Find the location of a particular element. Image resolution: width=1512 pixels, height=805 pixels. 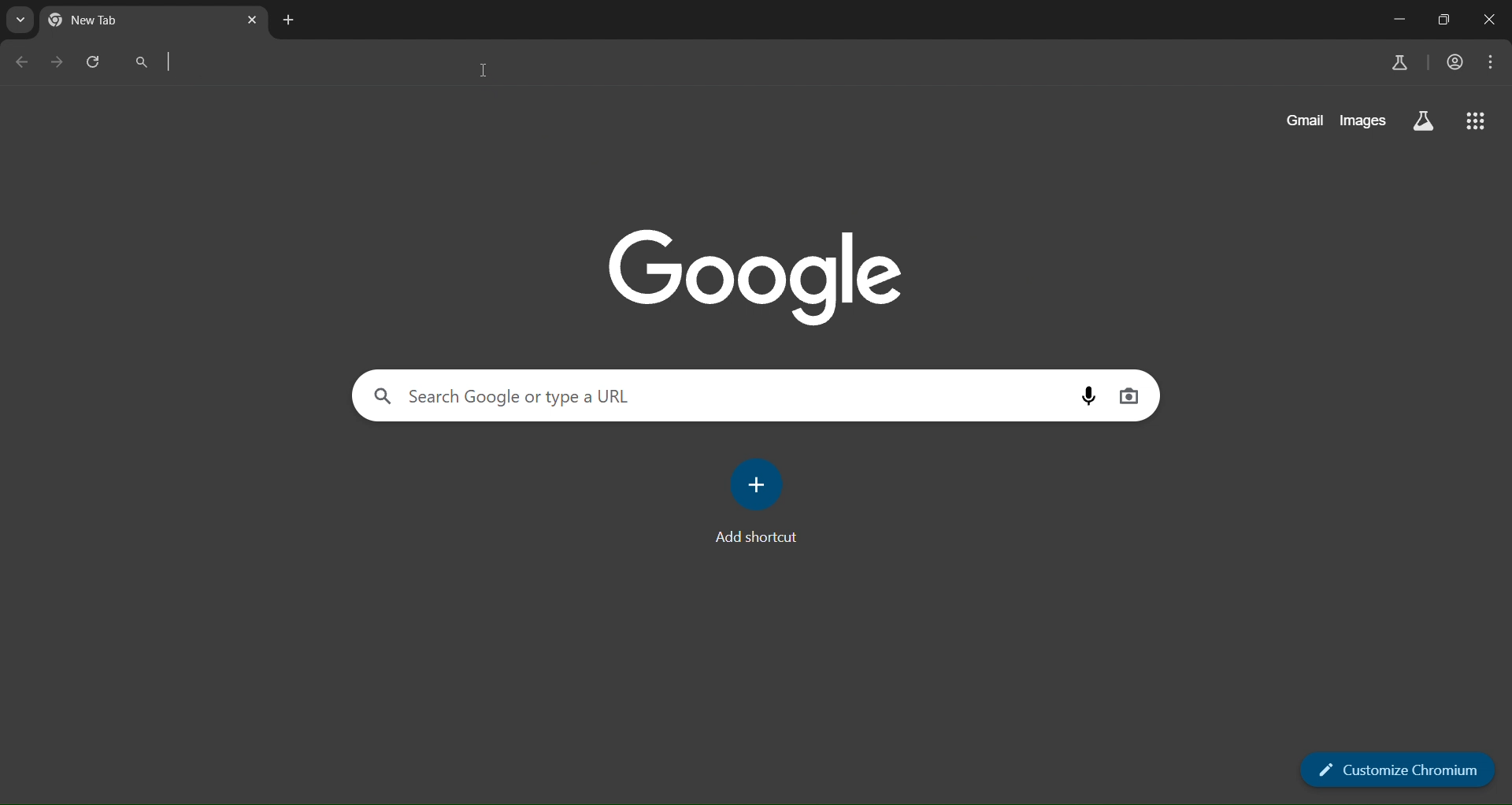

search labs is located at coordinates (1399, 65).